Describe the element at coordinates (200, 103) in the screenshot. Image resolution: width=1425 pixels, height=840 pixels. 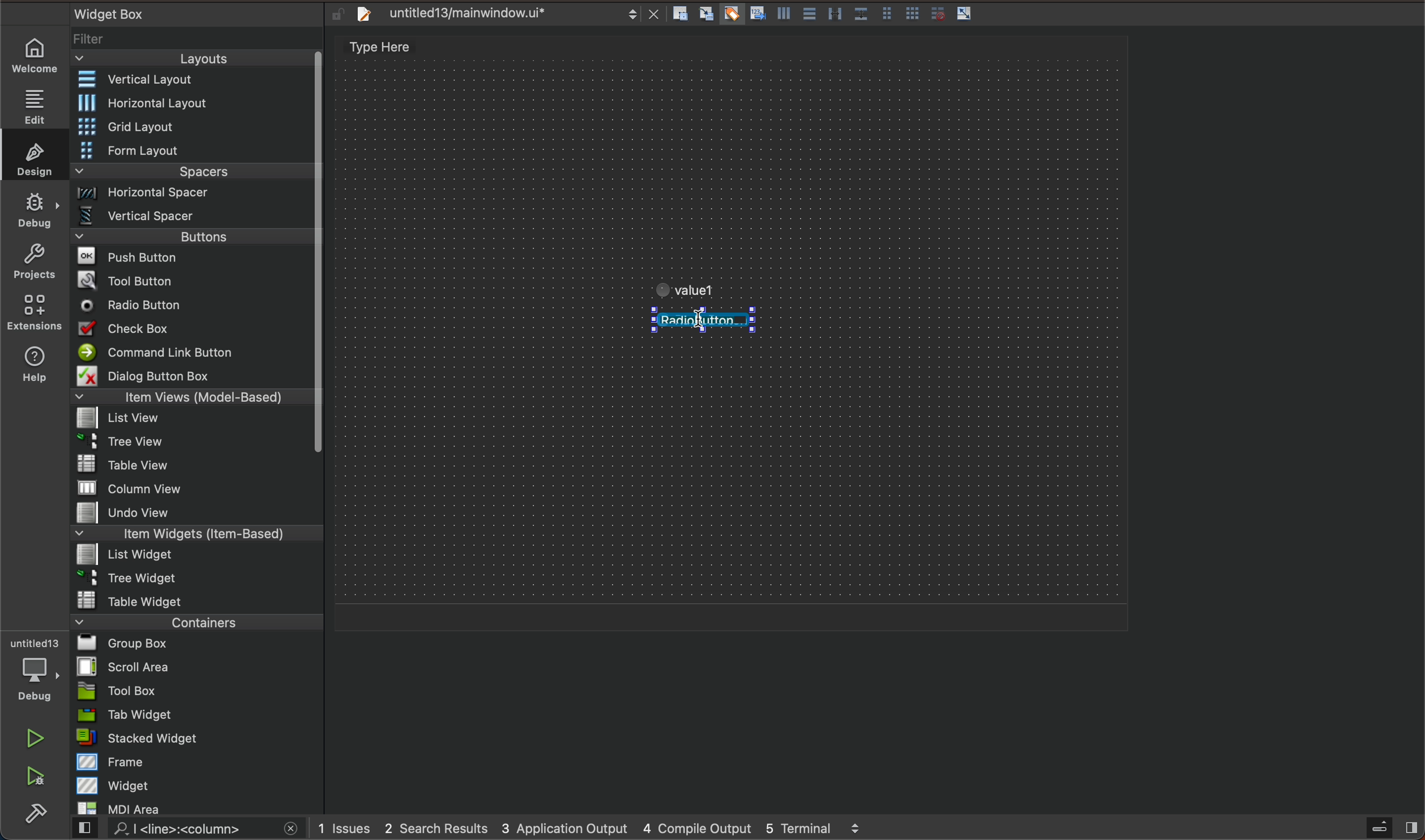
I see `` at that location.